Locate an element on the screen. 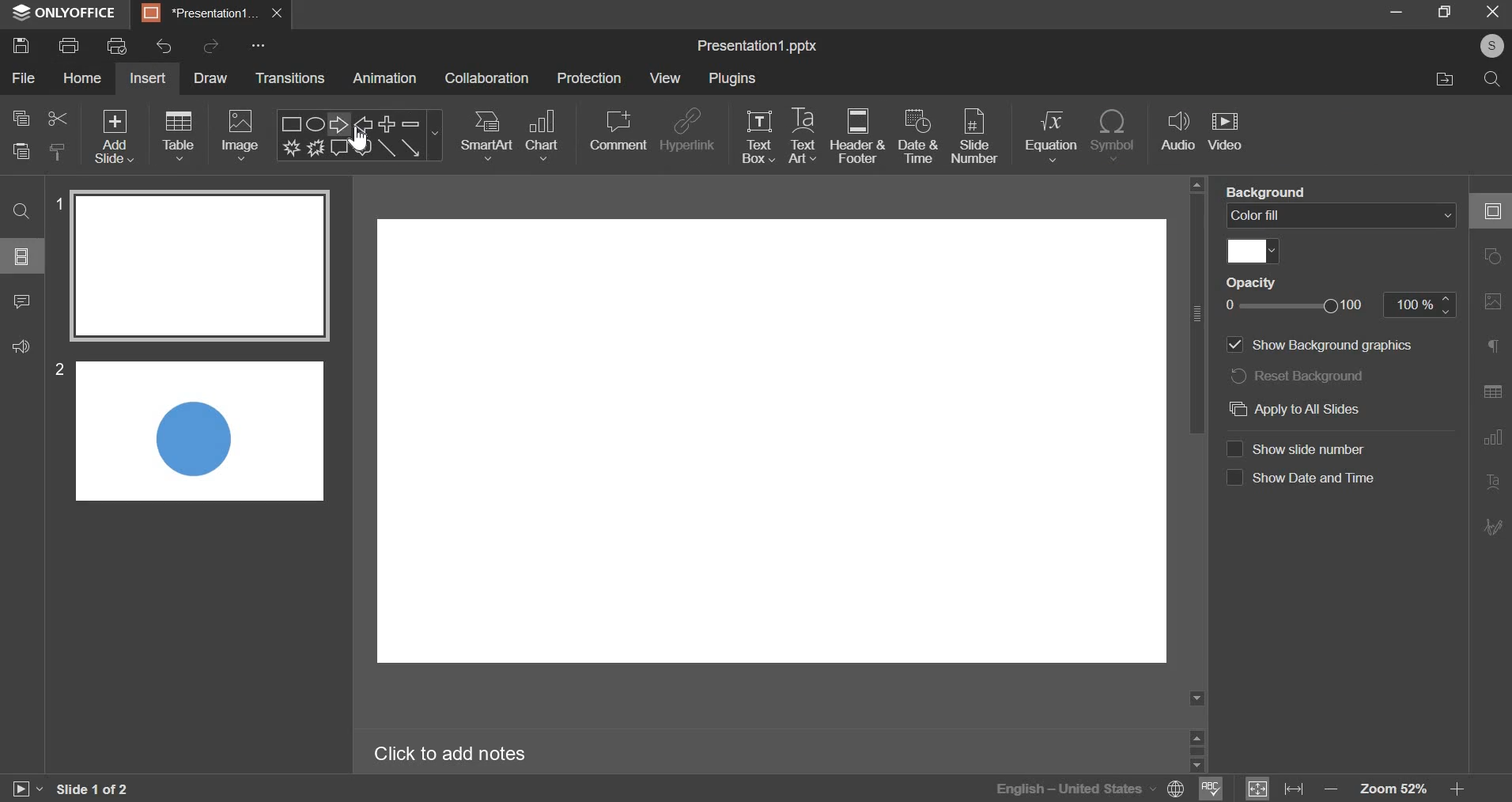  show slide number is located at coordinates (1302, 450).